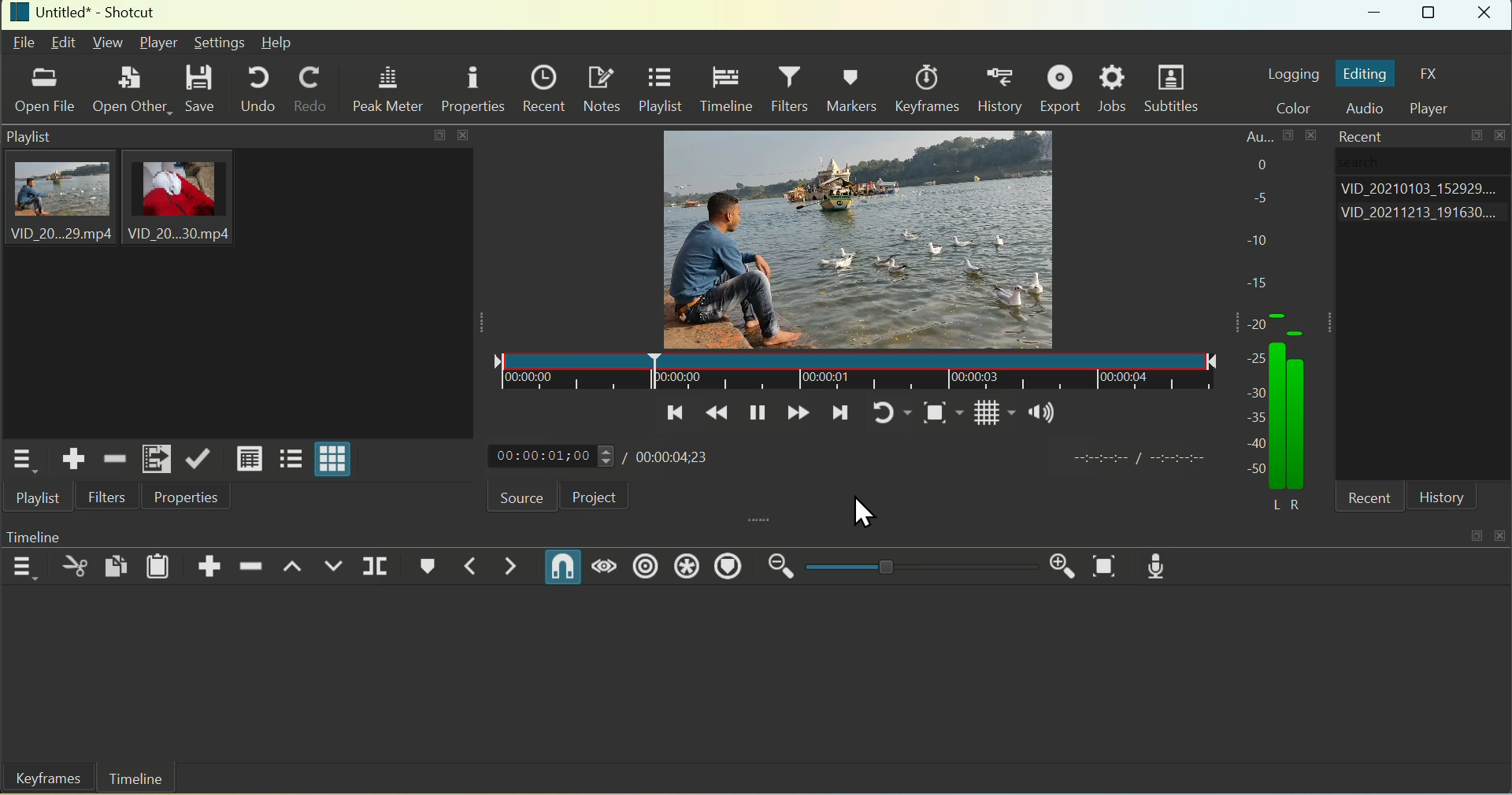 This screenshot has height=795, width=1512. What do you see at coordinates (646, 567) in the screenshot?
I see `Ripple` at bounding box center [646, 567].